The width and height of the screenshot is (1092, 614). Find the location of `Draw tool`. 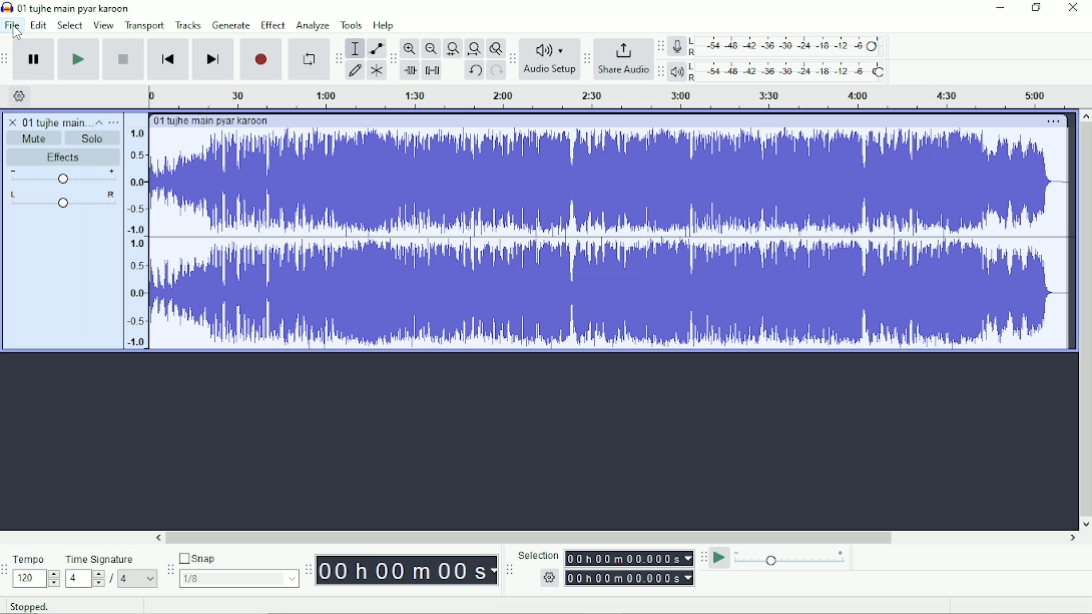

Draw tool is located at coordinates (357, 71).